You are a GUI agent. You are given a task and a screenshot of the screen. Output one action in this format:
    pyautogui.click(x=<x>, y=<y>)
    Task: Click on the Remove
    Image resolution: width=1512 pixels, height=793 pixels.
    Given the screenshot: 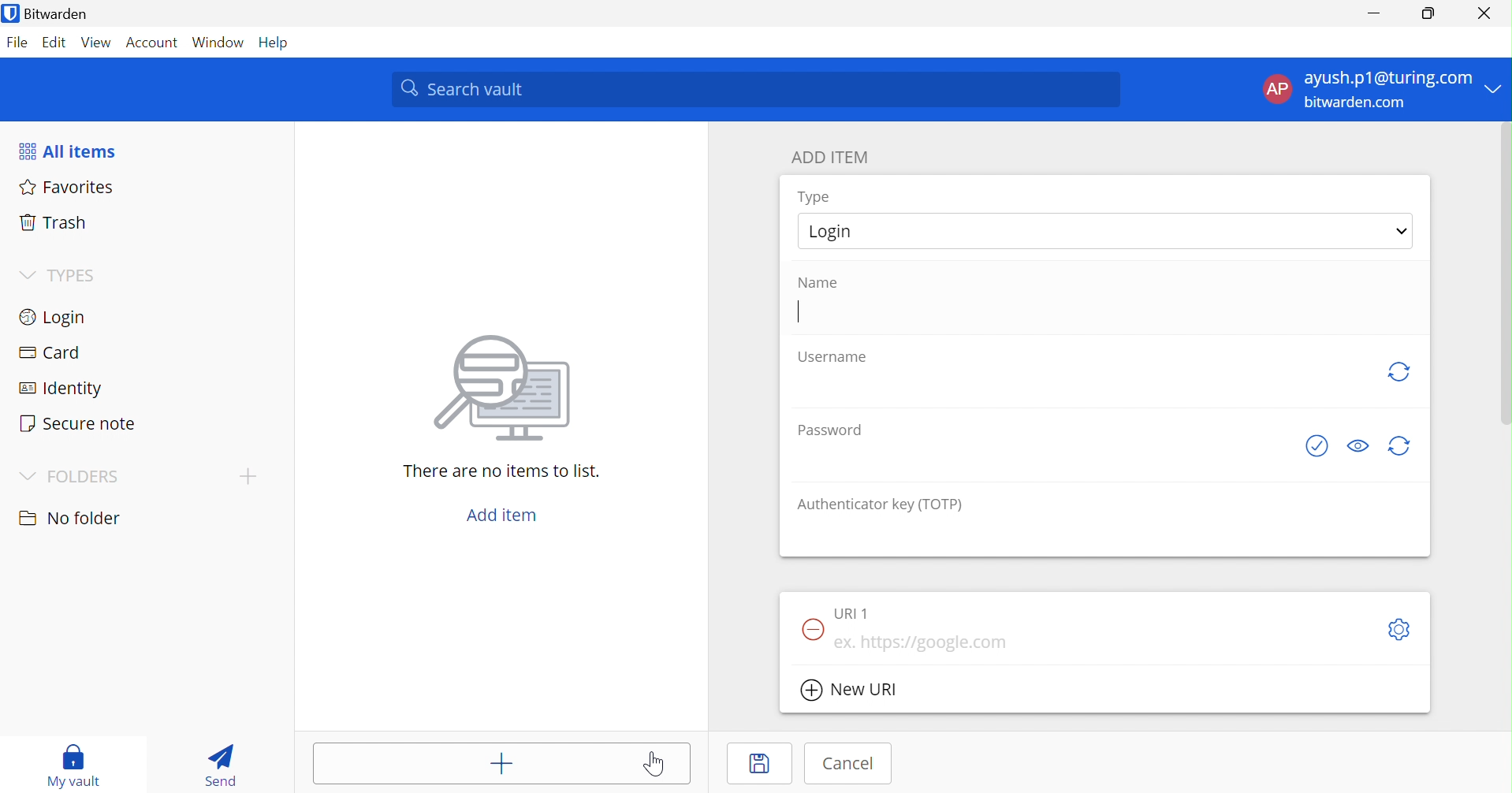 What is the action you would take?
    pyautogui.click(x=812, y=631)
    